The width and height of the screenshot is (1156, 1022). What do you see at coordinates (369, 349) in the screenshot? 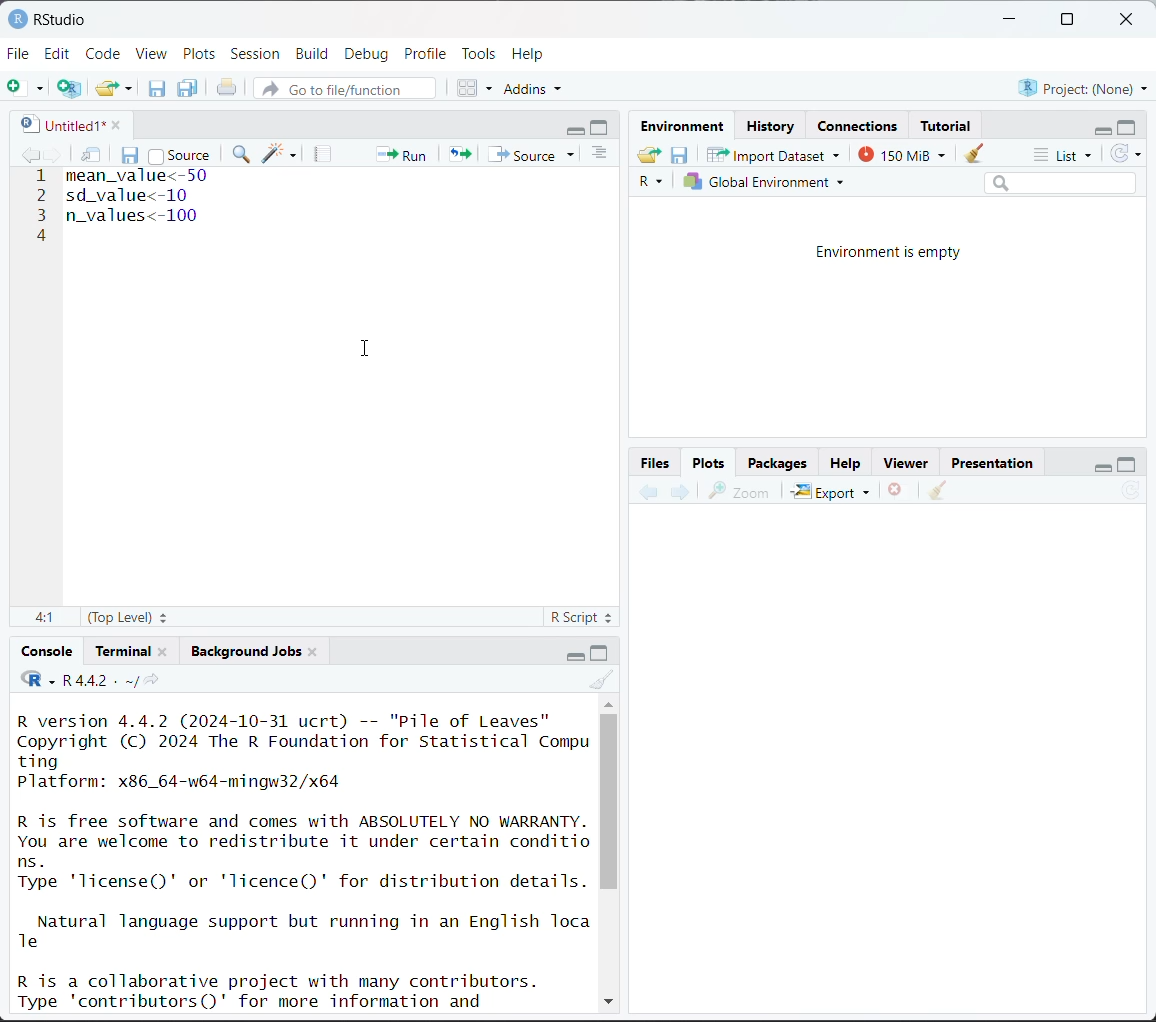
I see `cursor` at bounding box center [369, 349].